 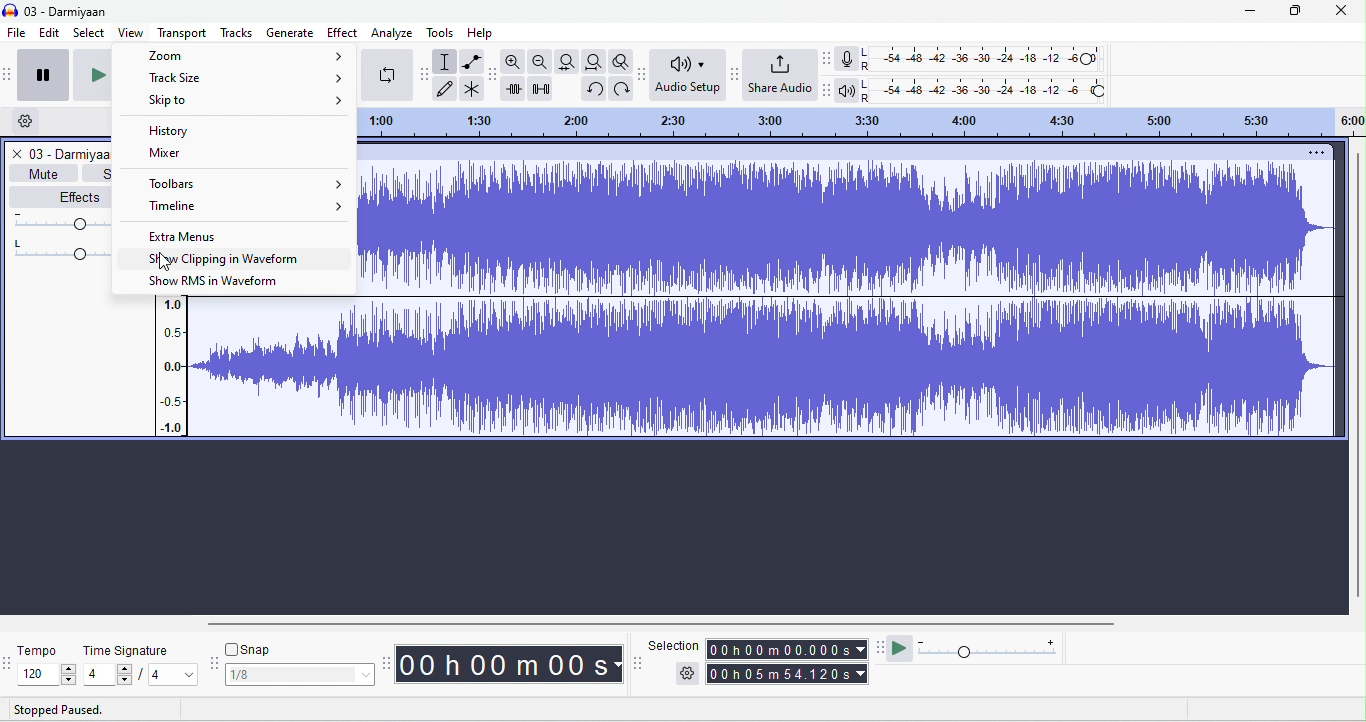 I want to click on close, so click(x=1341, y=12).